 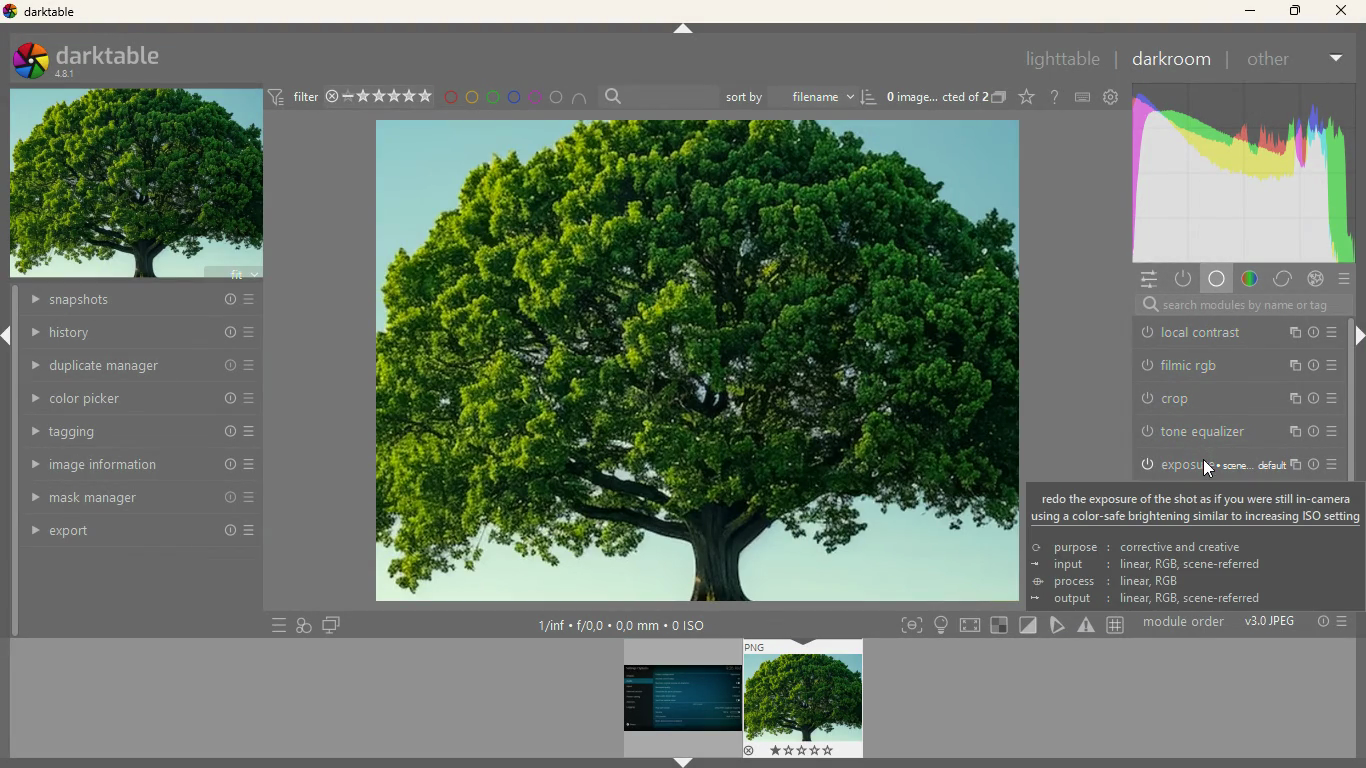 I want to click on keyboard, so click(x=1079, y=97).